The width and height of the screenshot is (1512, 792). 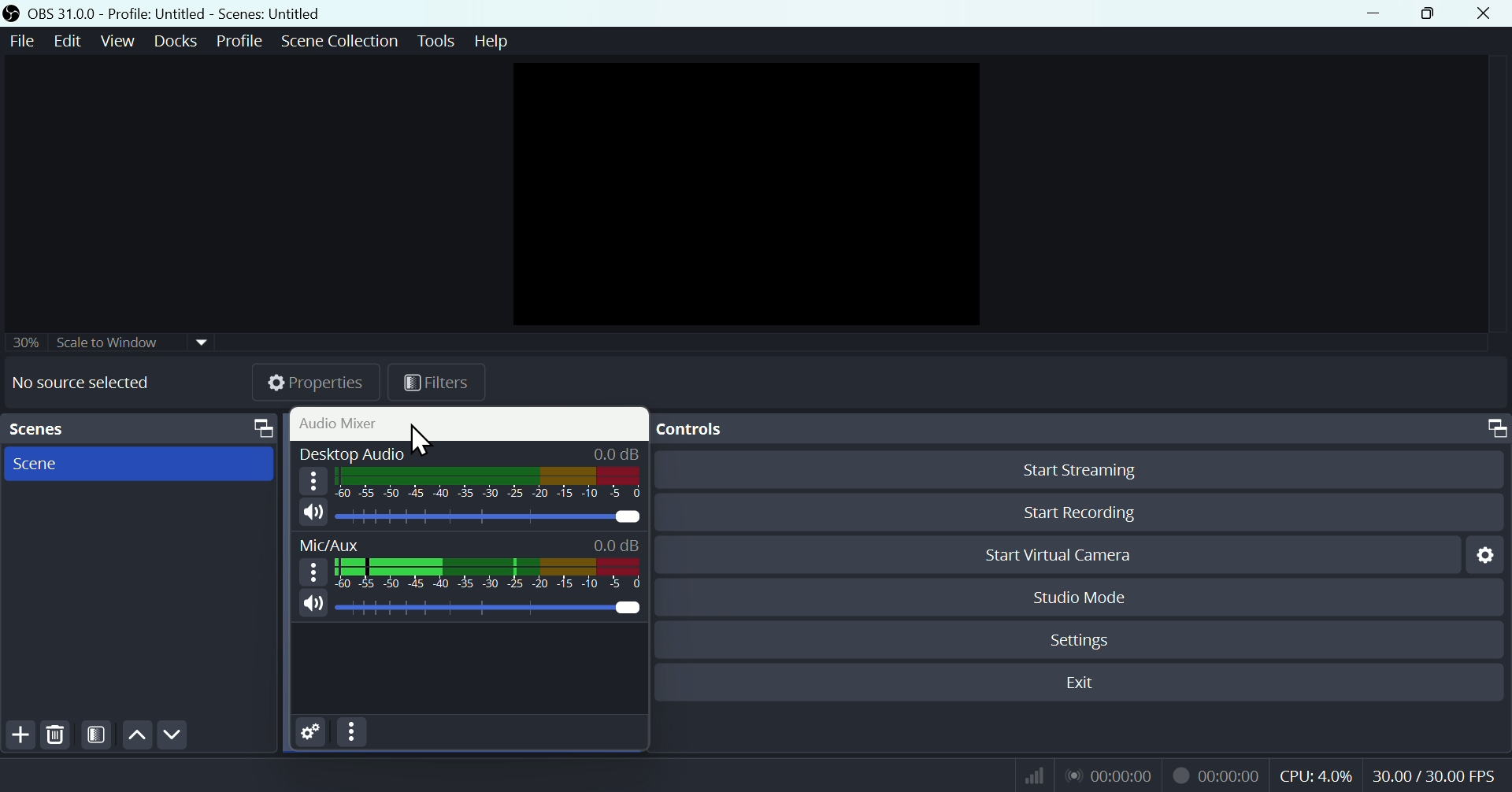 What do you see at coordinates (1075, 555) in the screenshot?
I see `Start virtual camera` at bounding box center [1075, 555].